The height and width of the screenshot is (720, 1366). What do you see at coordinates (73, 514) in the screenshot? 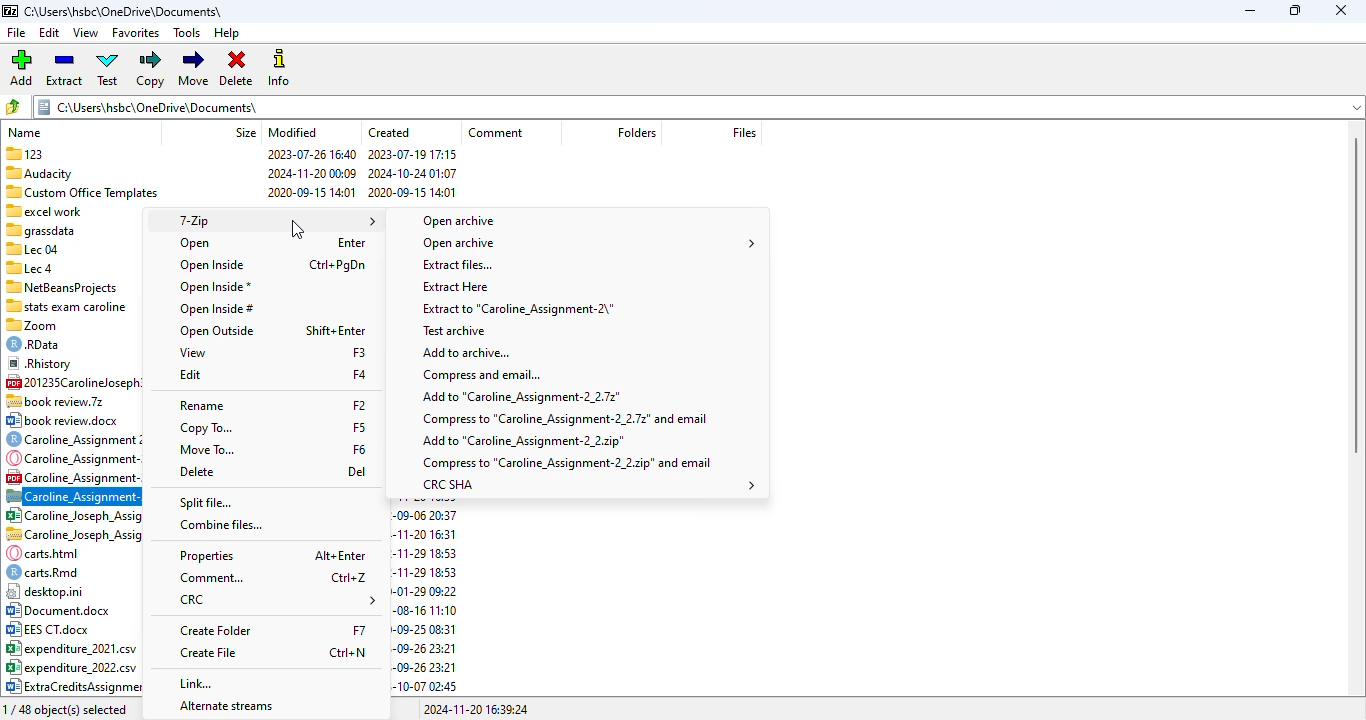
I see `85 Caroline Joseph Assigf¥.. 111870 2022-09-06 20:37 2022-09-06 20:37` at bounding box center [73, 514].